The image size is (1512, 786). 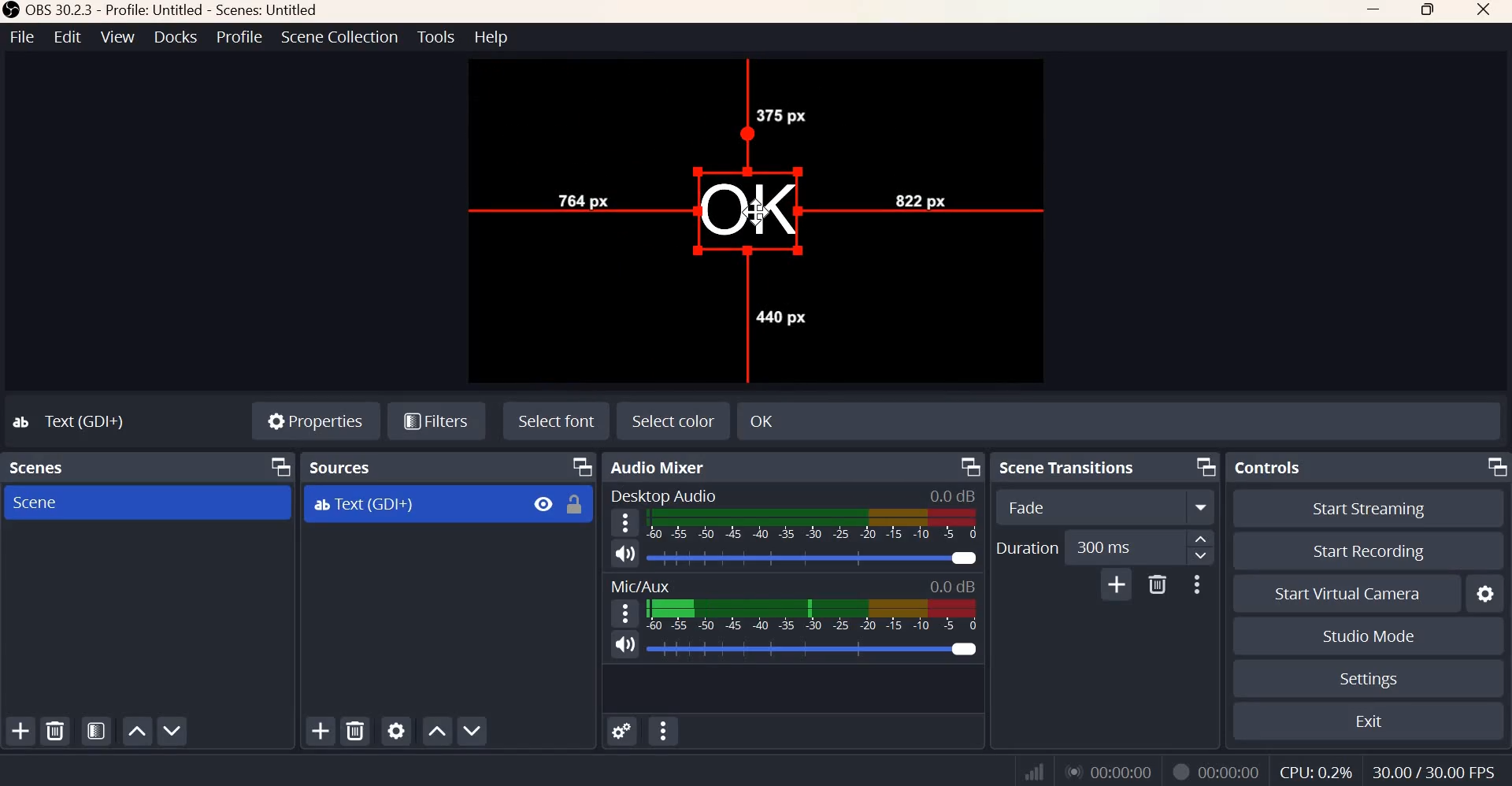 What do you see at coordinates (1206, 466) in the screenshot?
I see `Dock Options icon` at bounding box center [1206, 466].